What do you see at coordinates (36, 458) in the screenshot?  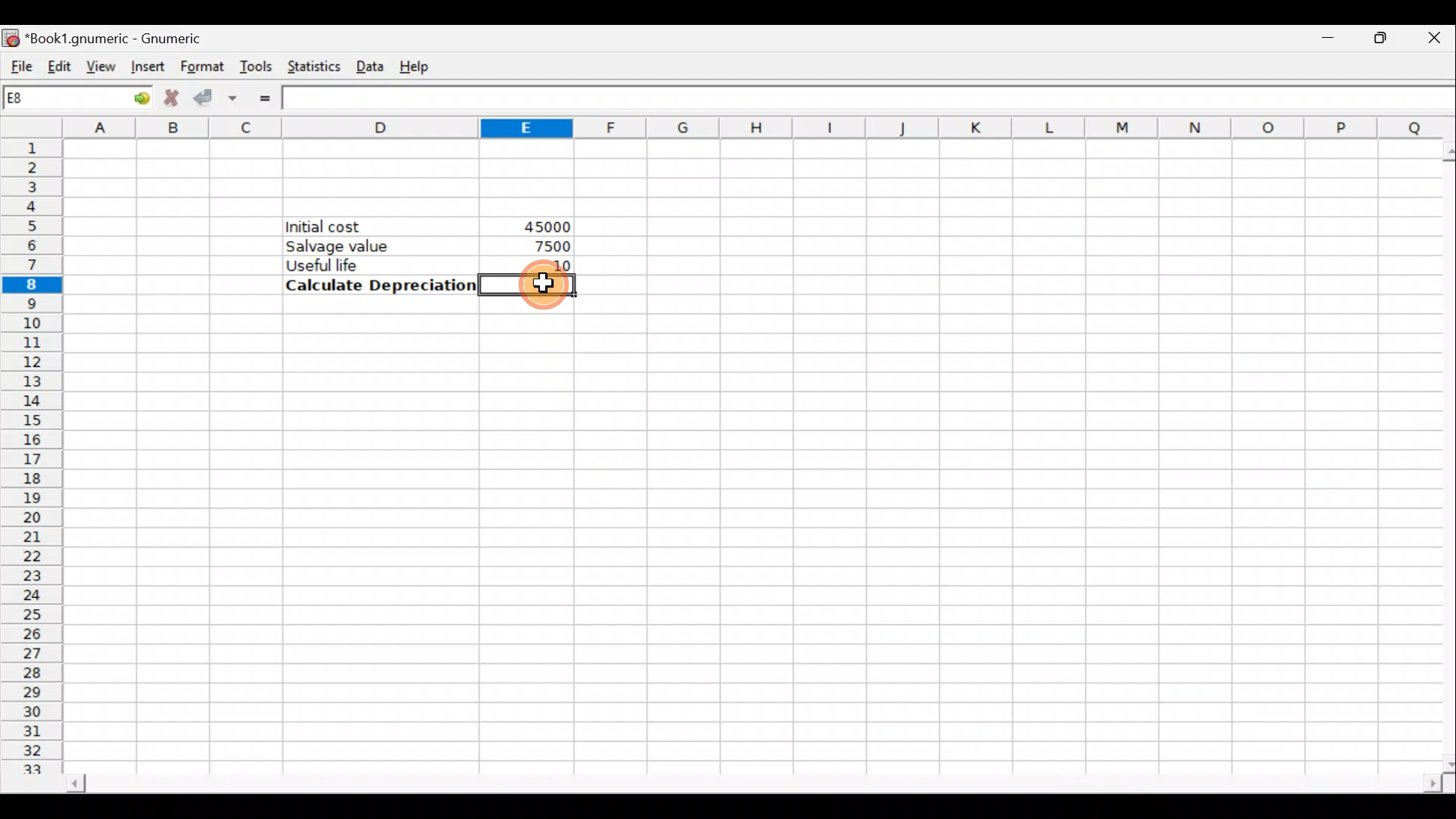 I see `Rows` at bounding box center [36, 458].